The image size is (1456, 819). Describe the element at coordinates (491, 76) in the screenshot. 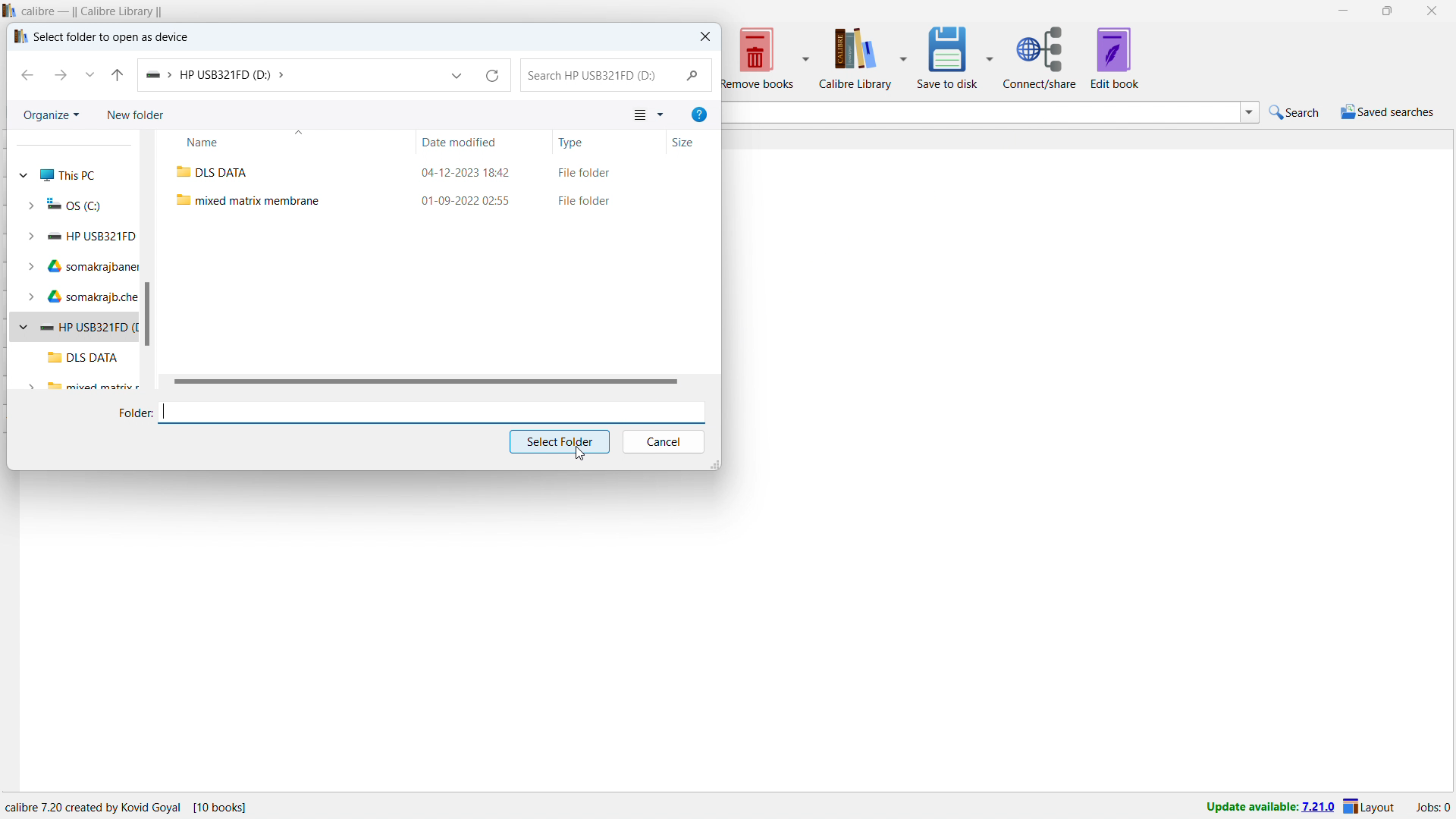

I see `refresh` at that location.